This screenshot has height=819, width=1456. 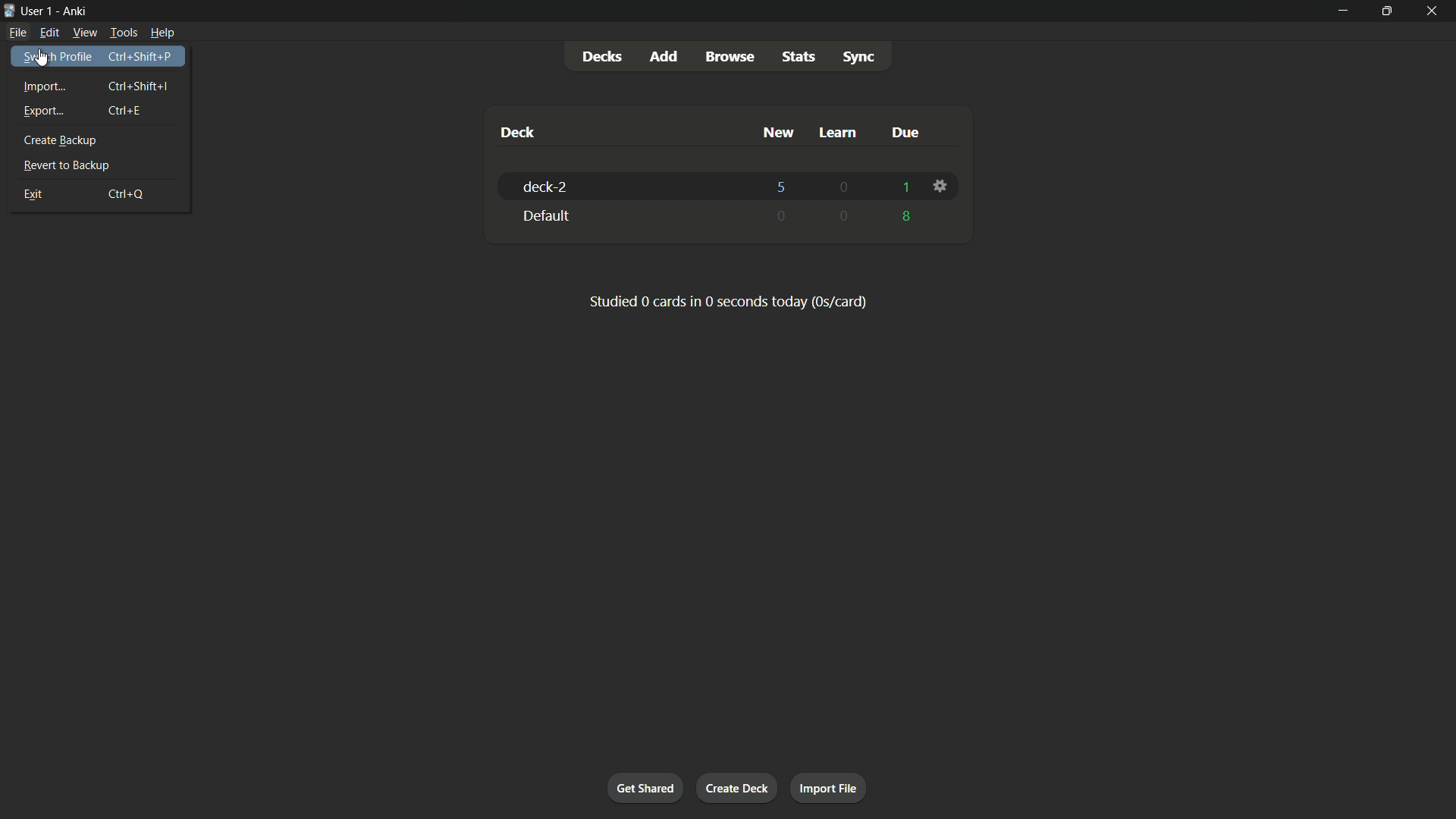 What do you see at coordinates (830, 789) in the screenshot?
I see `Import files` at bounding box center [830, 789].